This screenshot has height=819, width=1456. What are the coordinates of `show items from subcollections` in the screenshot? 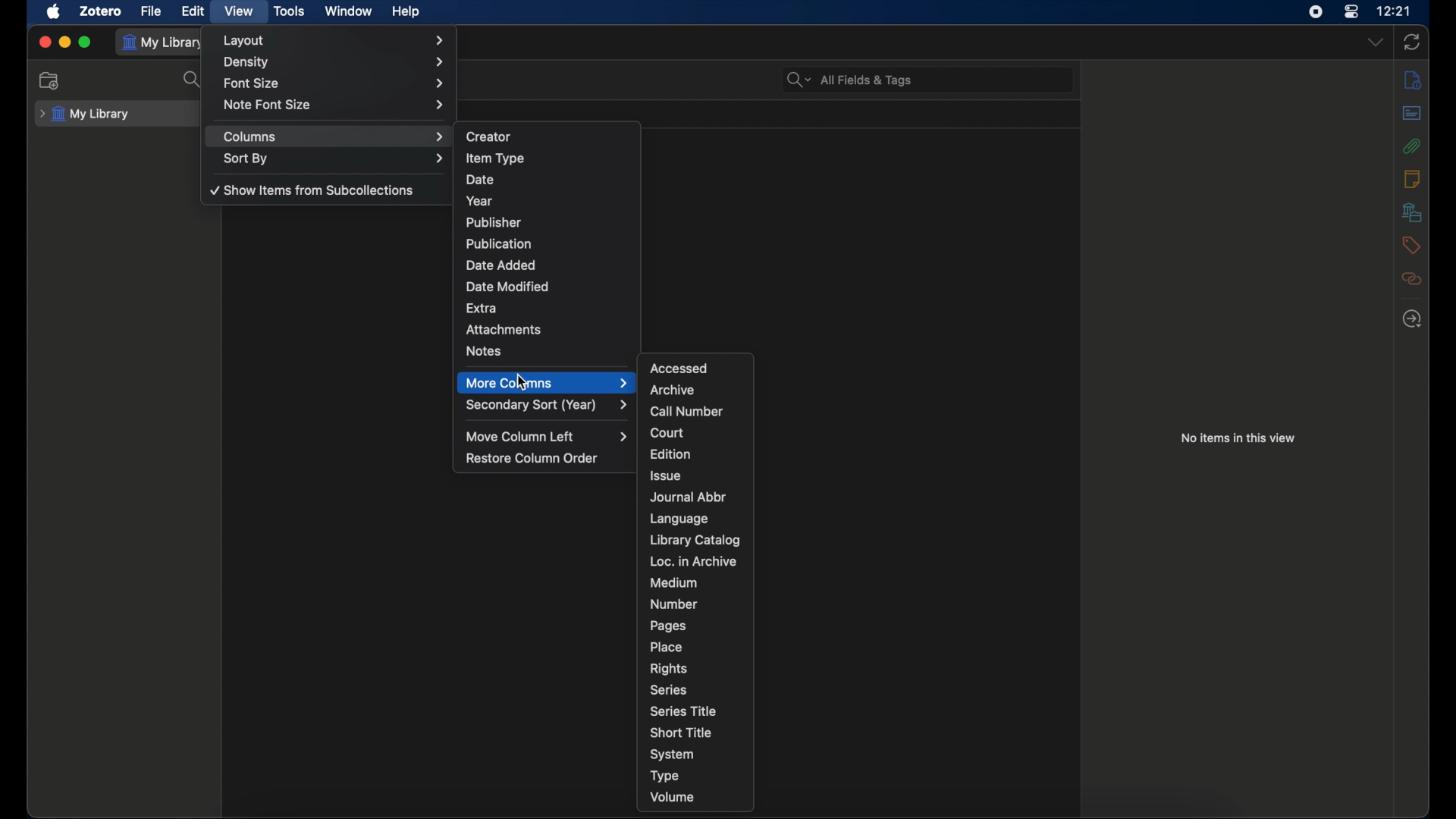 It's located at (315, 190).